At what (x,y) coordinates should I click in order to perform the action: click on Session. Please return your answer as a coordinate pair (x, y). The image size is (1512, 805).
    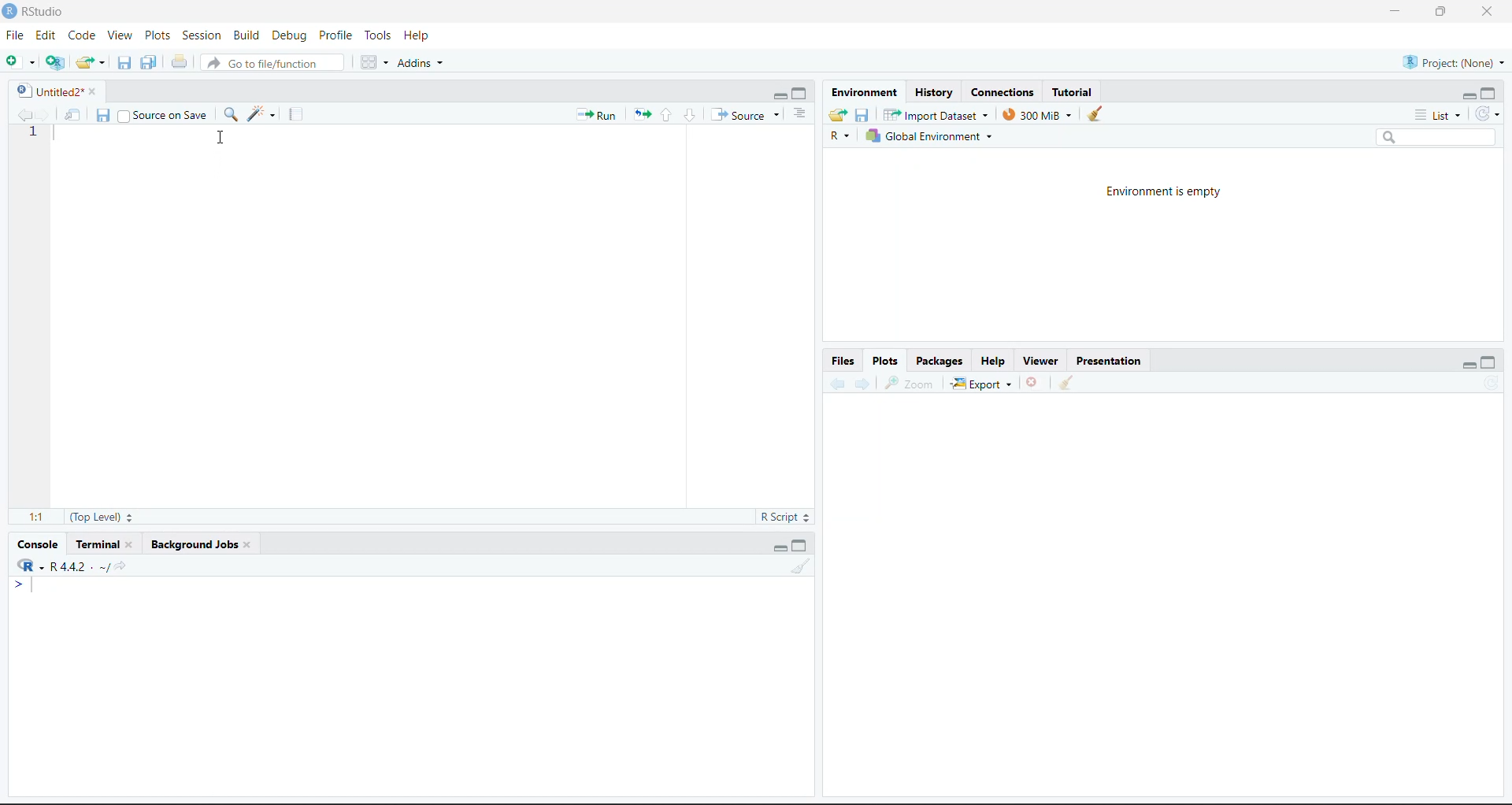
    Looking at the image, I should click on (201, 35).